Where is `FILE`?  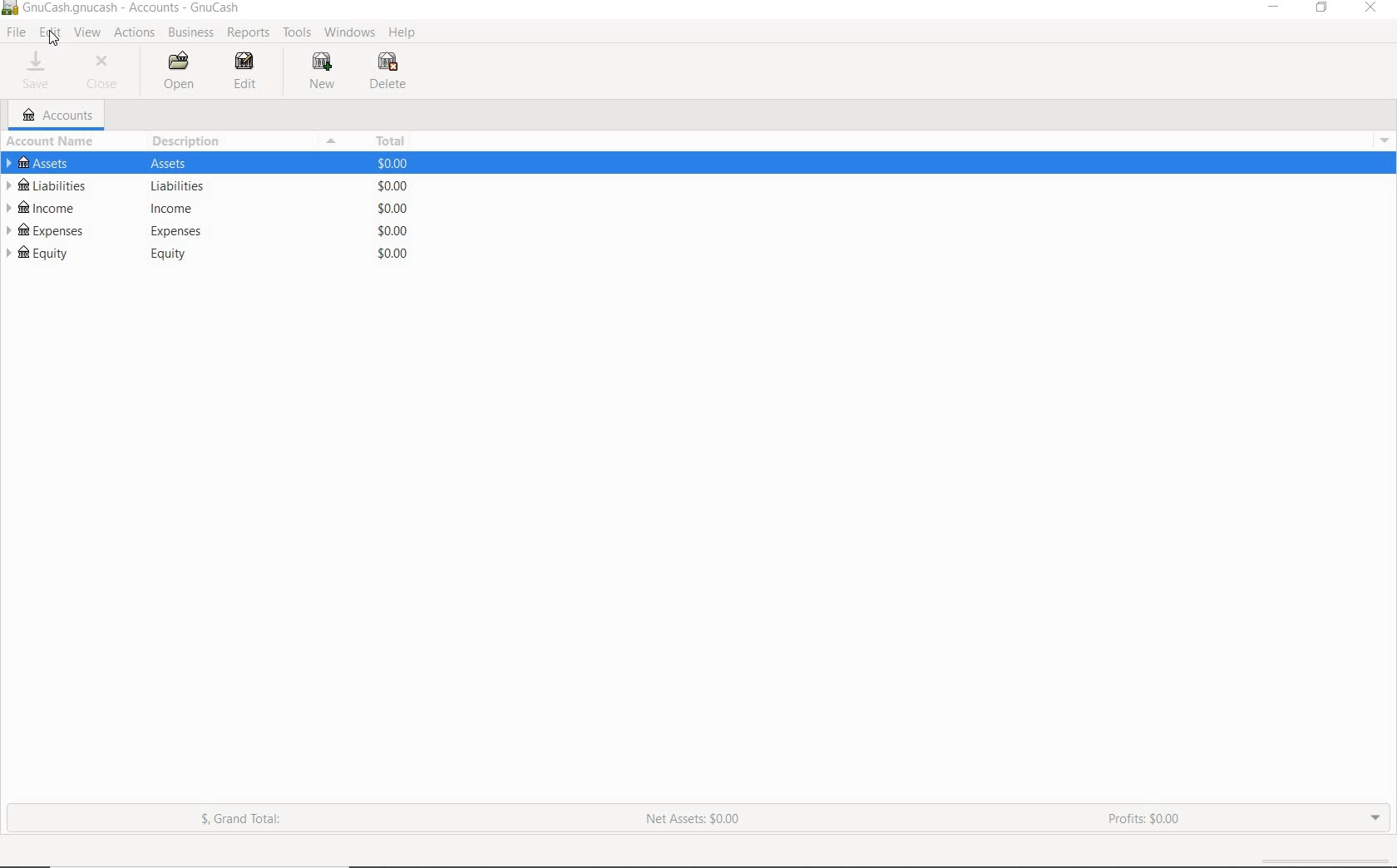 FILE is located at coordinates (14, 32).